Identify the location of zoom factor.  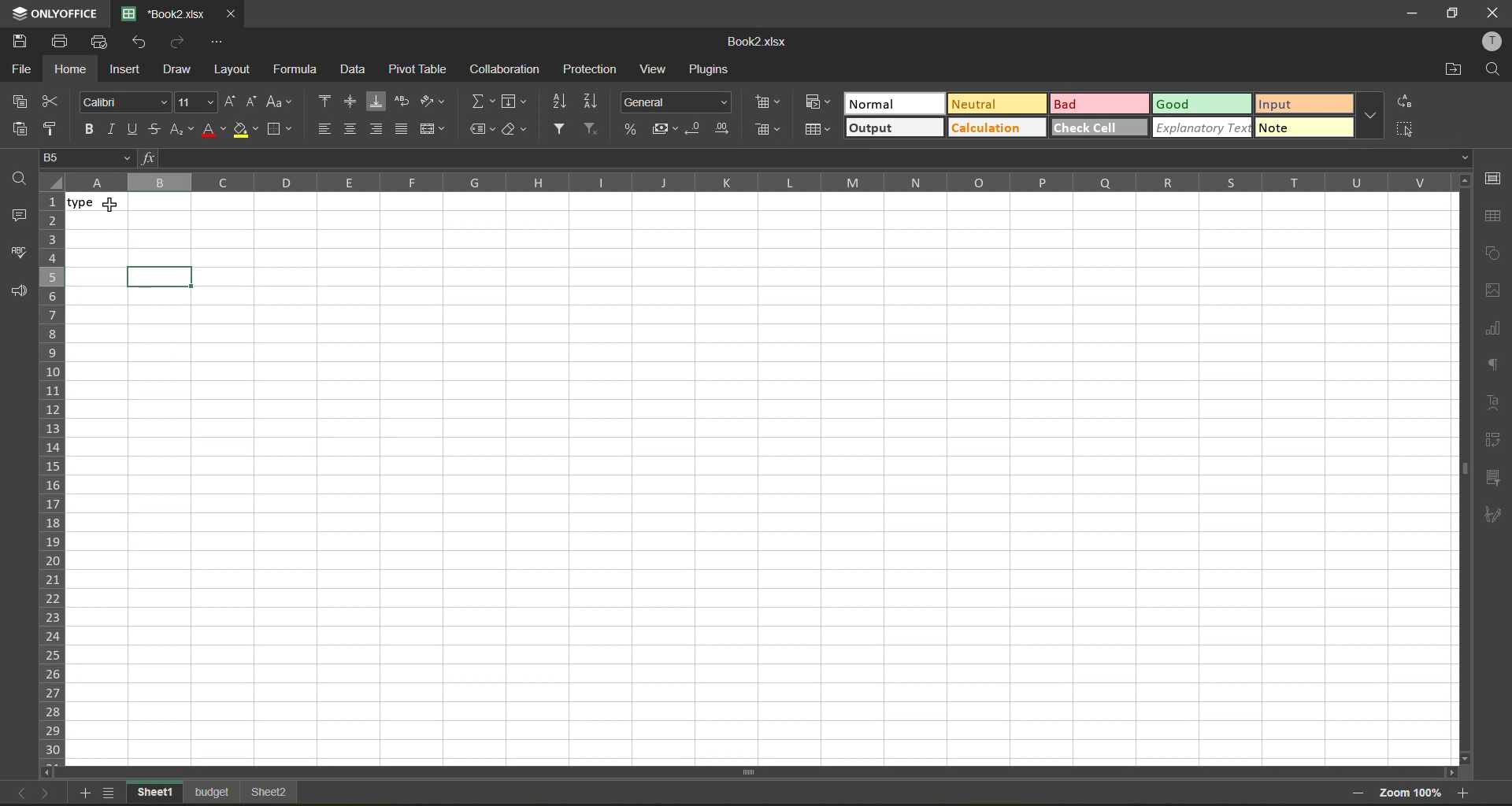
(1409, 794).